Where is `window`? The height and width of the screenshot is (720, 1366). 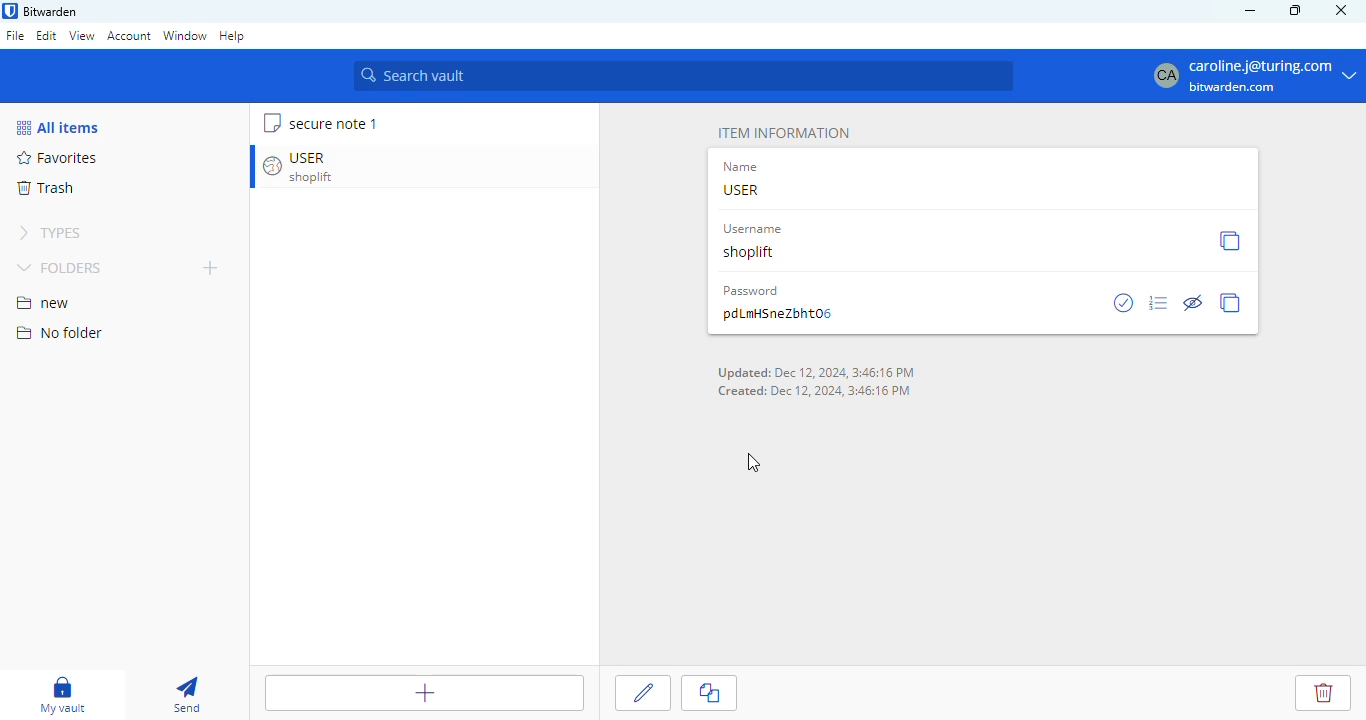
window is located at coordinates (185, 36).